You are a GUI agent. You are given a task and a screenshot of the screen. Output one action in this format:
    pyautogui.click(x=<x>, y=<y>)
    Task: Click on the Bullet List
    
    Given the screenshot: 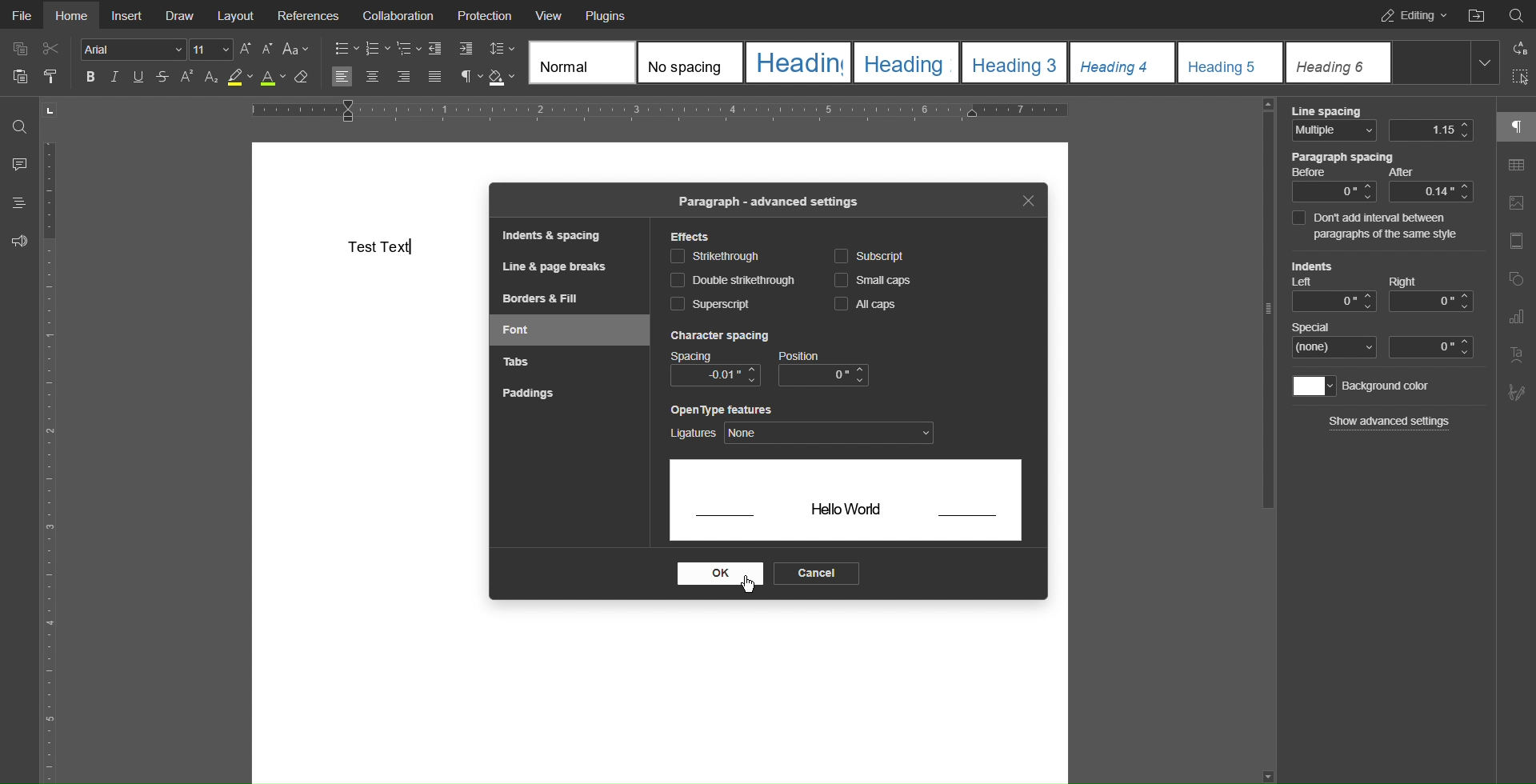 What is the action you would take?
    pyautogui.click(x=346, y=50)
    